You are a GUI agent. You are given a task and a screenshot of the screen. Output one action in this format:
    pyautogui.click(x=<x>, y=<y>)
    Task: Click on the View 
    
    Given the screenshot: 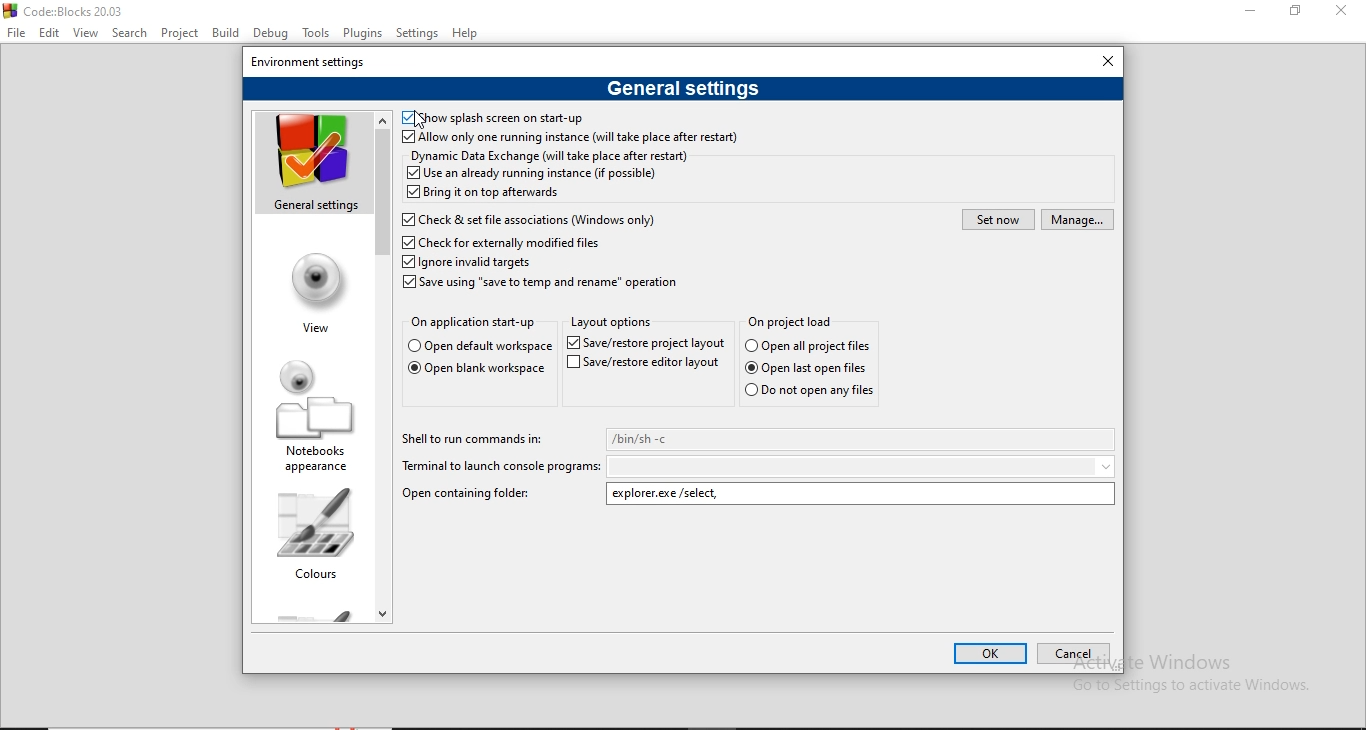 What is the action you would take?
    pyautogui.click(x=86, y=33)
    